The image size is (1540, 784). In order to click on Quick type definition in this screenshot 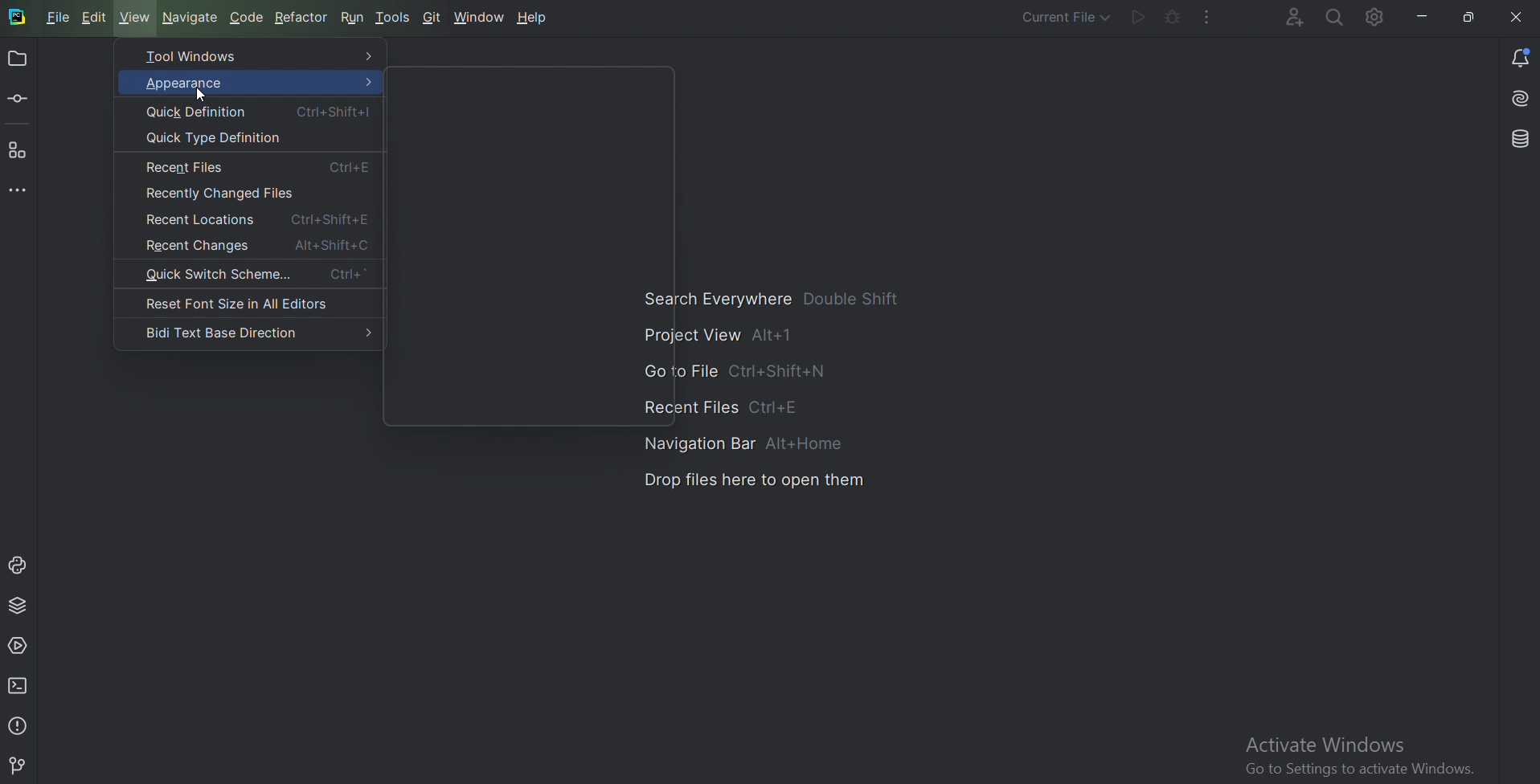, I will do `click(215, 137)`.